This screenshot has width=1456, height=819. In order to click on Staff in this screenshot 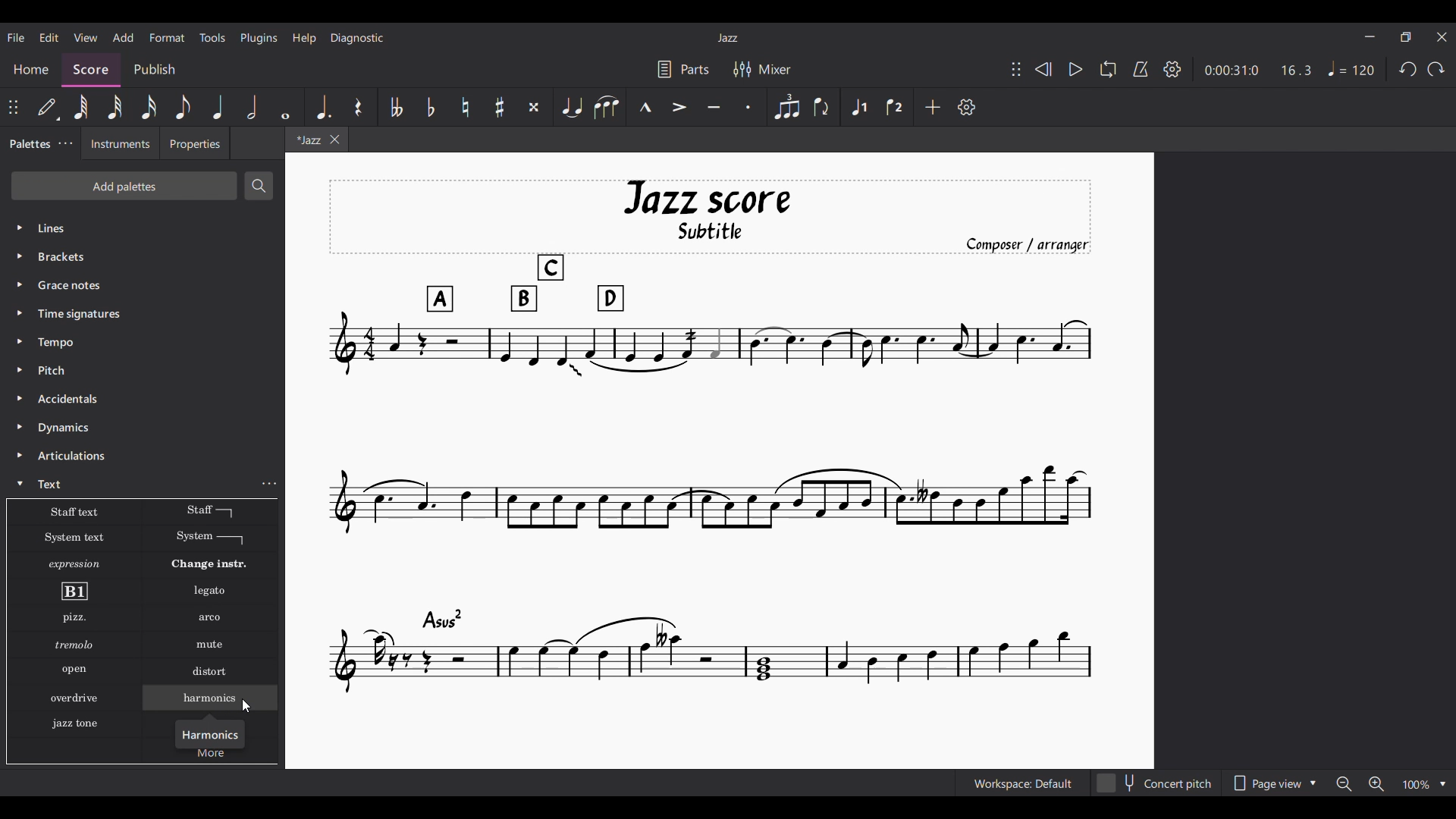, I will do `click(209, 511)`.